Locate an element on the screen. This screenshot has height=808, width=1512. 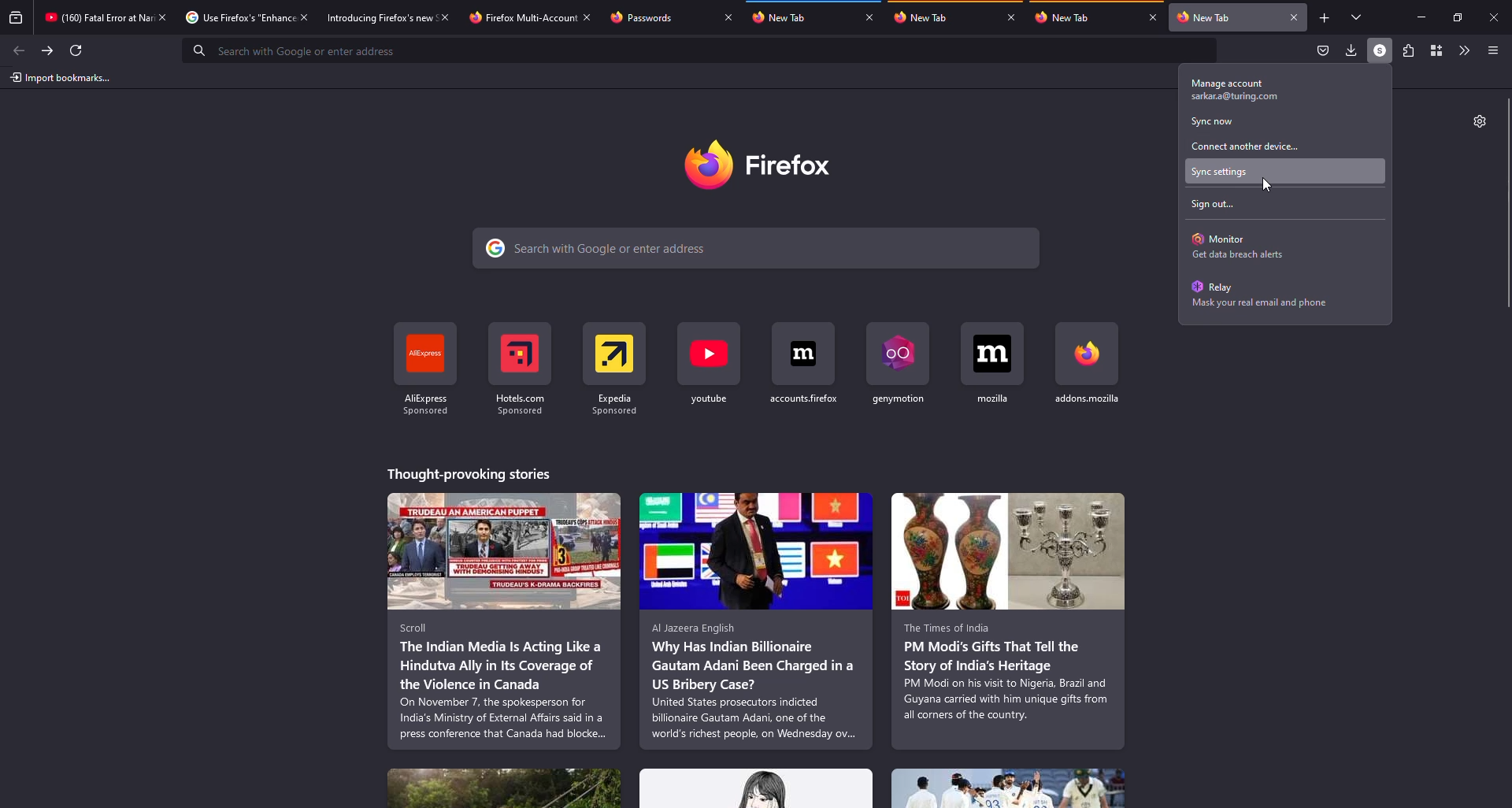
container is located at coordinates (1435, 50).